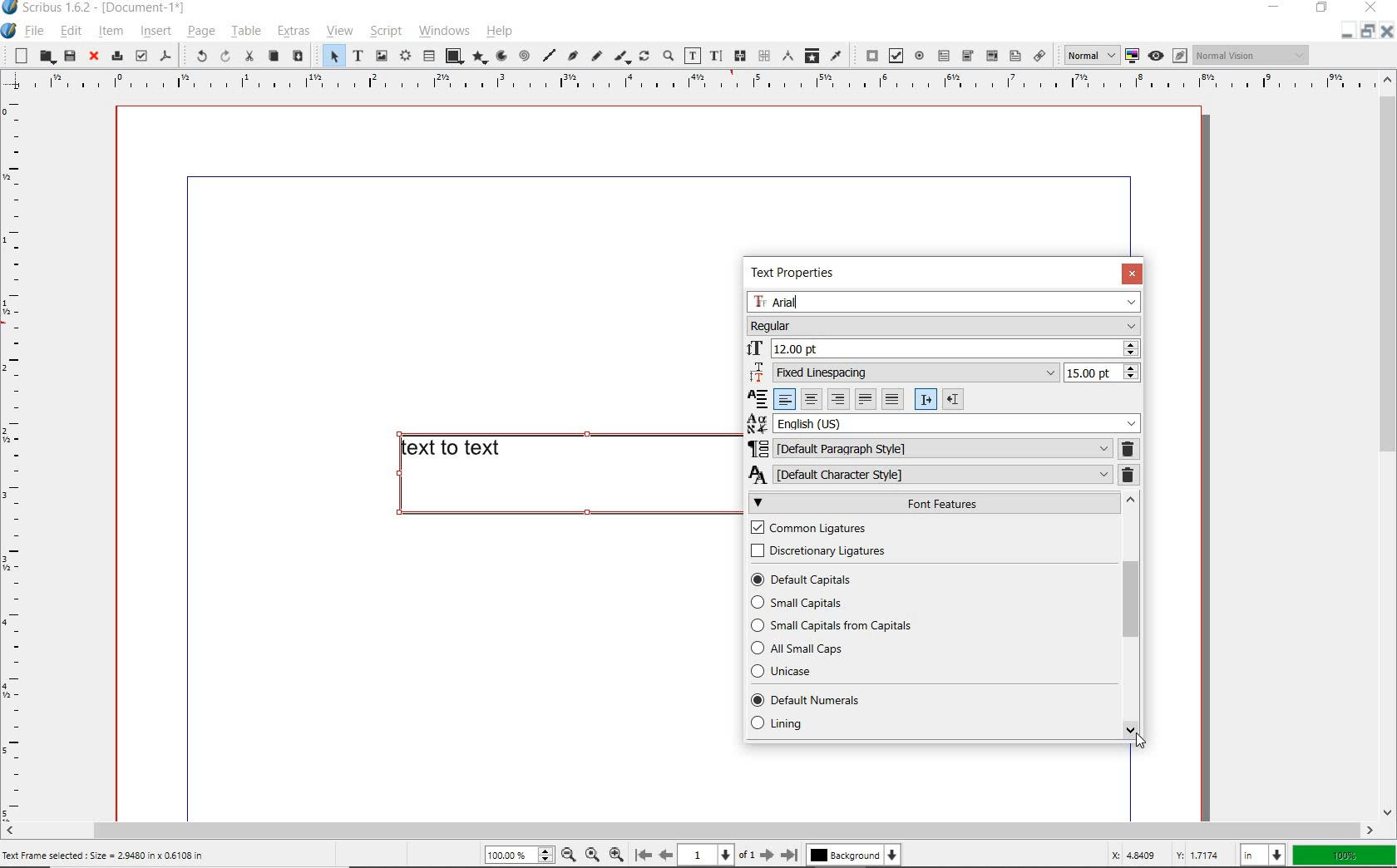  What do you see at coordinates (920, 57) in the screenshot?
I see `pdf radio button` at bounding box center [920, 57].